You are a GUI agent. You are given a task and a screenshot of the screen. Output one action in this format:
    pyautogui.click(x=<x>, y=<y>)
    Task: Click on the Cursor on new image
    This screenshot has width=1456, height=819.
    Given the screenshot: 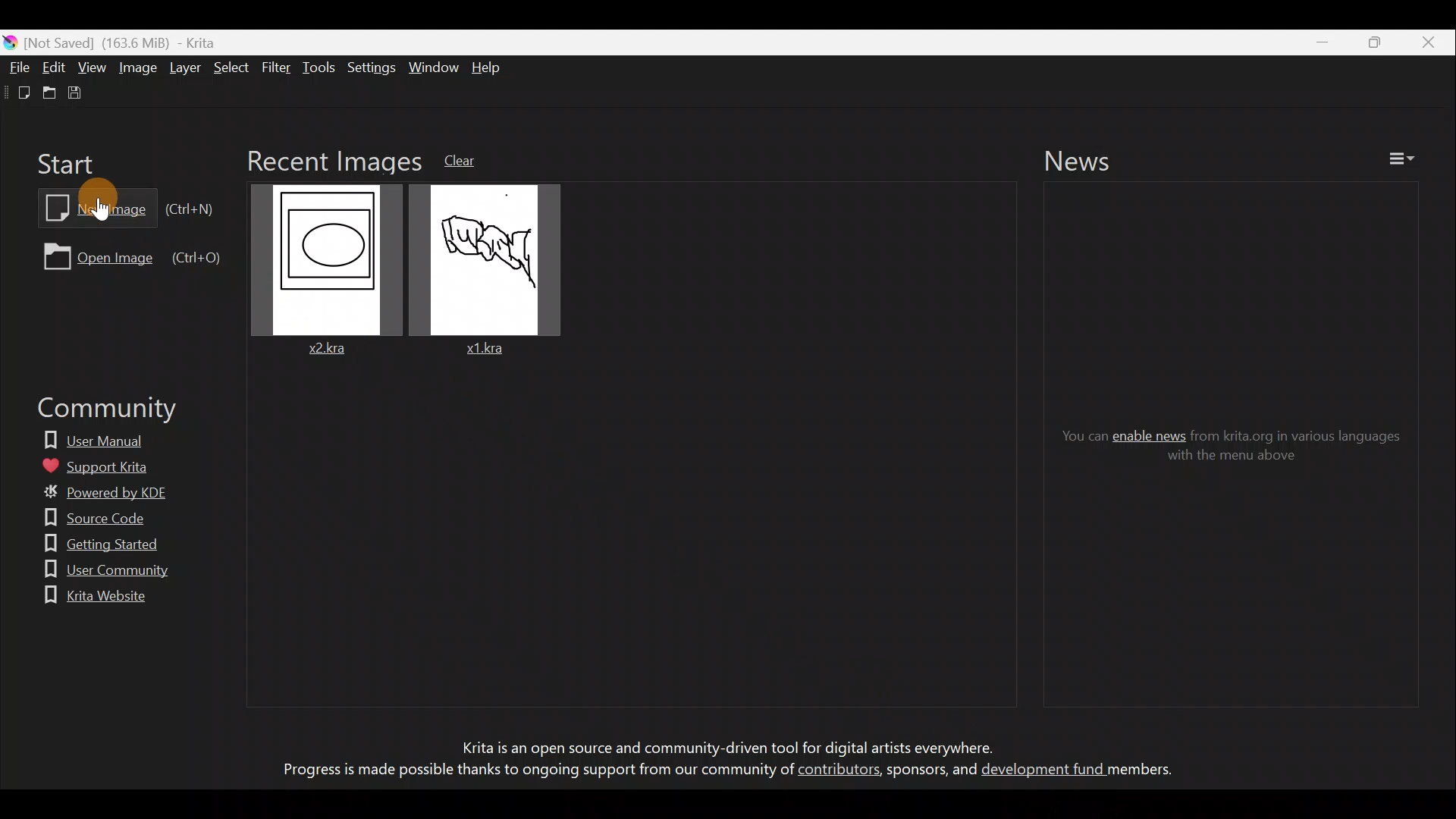 What is the action you would take?
    pyautogui.click(x=109, y=205)
    